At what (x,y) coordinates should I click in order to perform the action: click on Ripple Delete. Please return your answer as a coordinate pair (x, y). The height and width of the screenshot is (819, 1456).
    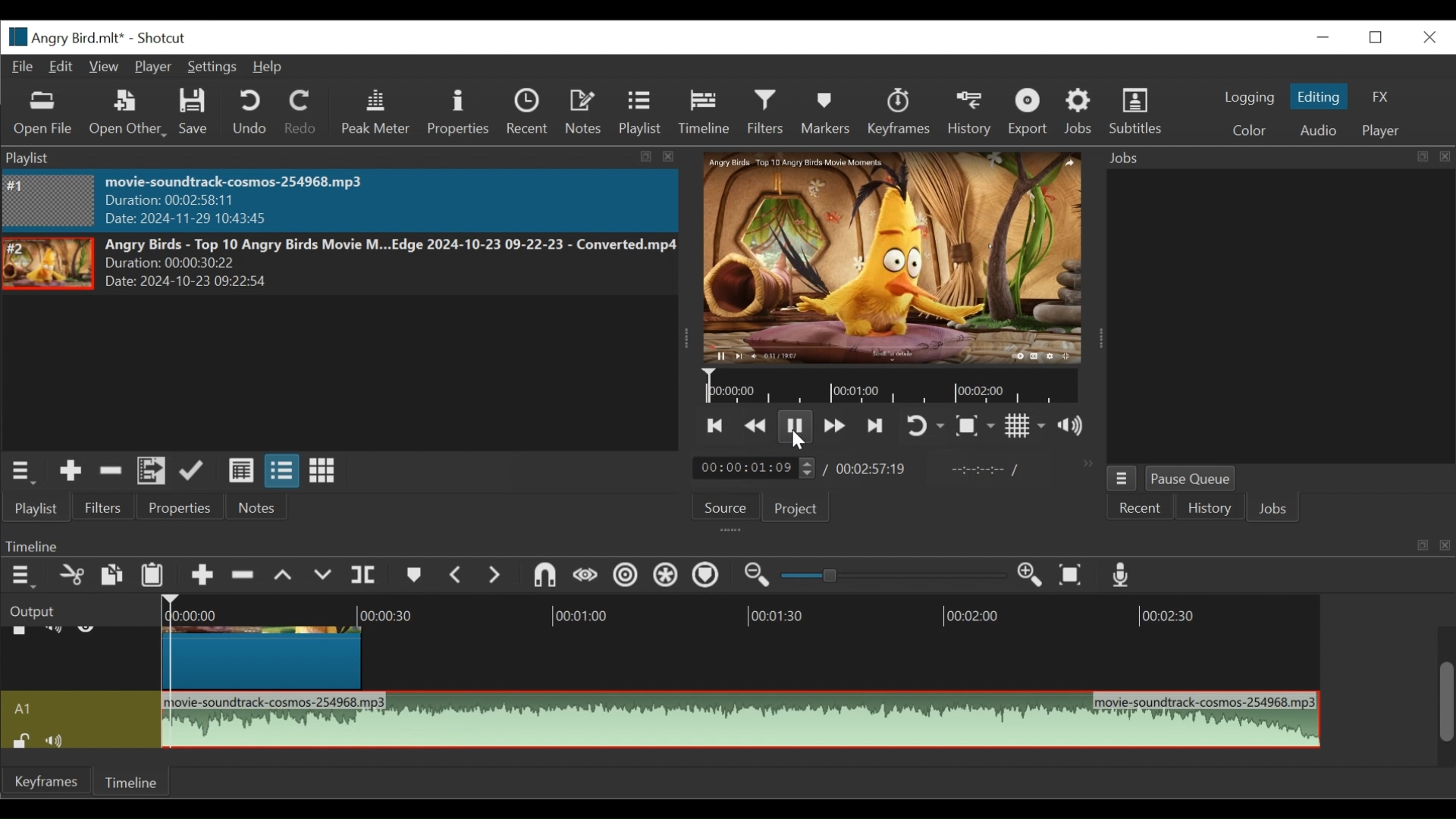
    Looking at the image, I should click on (243, 576).